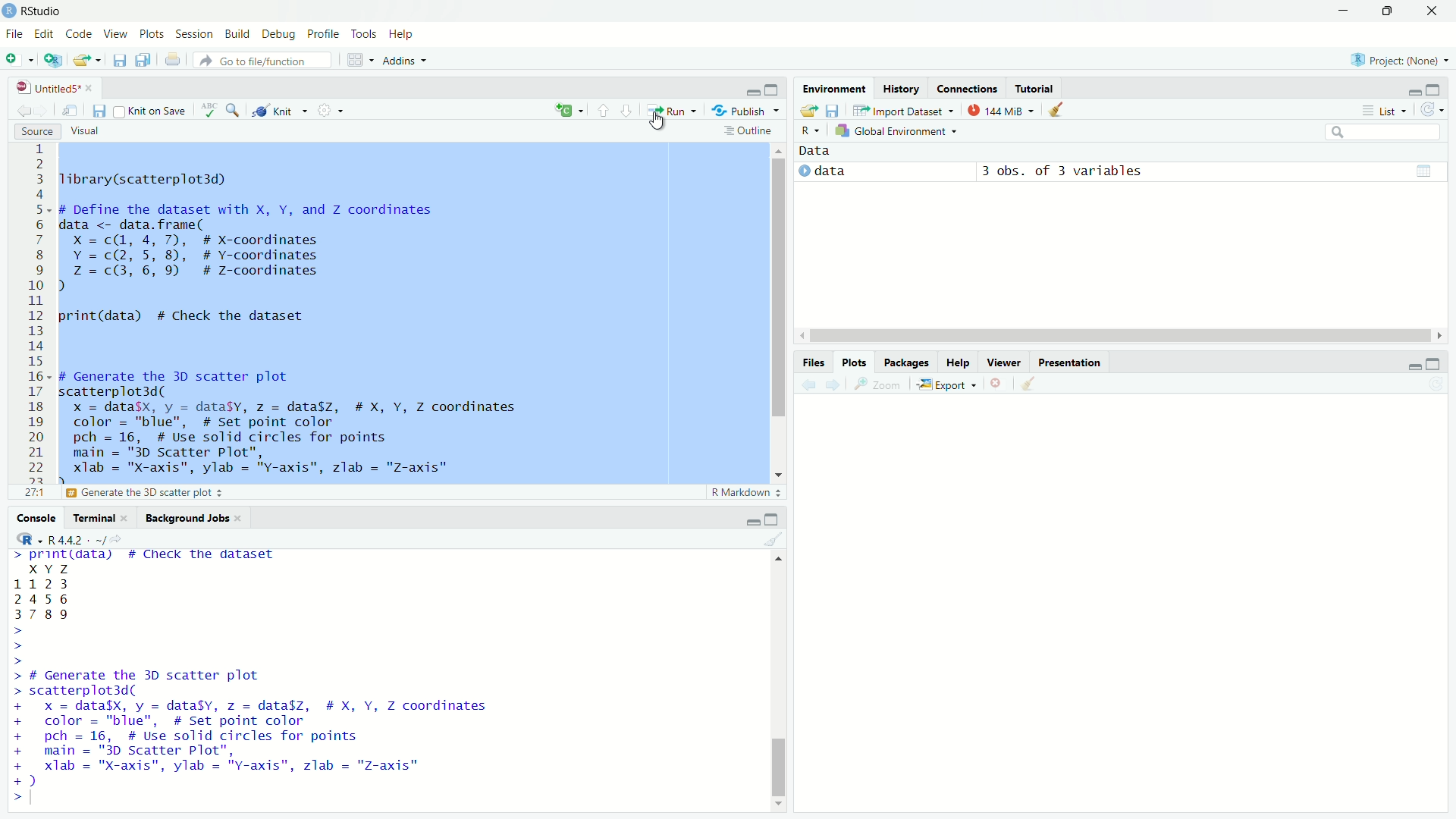 The width and height of the screenshot is (1456, 819). I want to click on save all open documents, so click(143, 63).